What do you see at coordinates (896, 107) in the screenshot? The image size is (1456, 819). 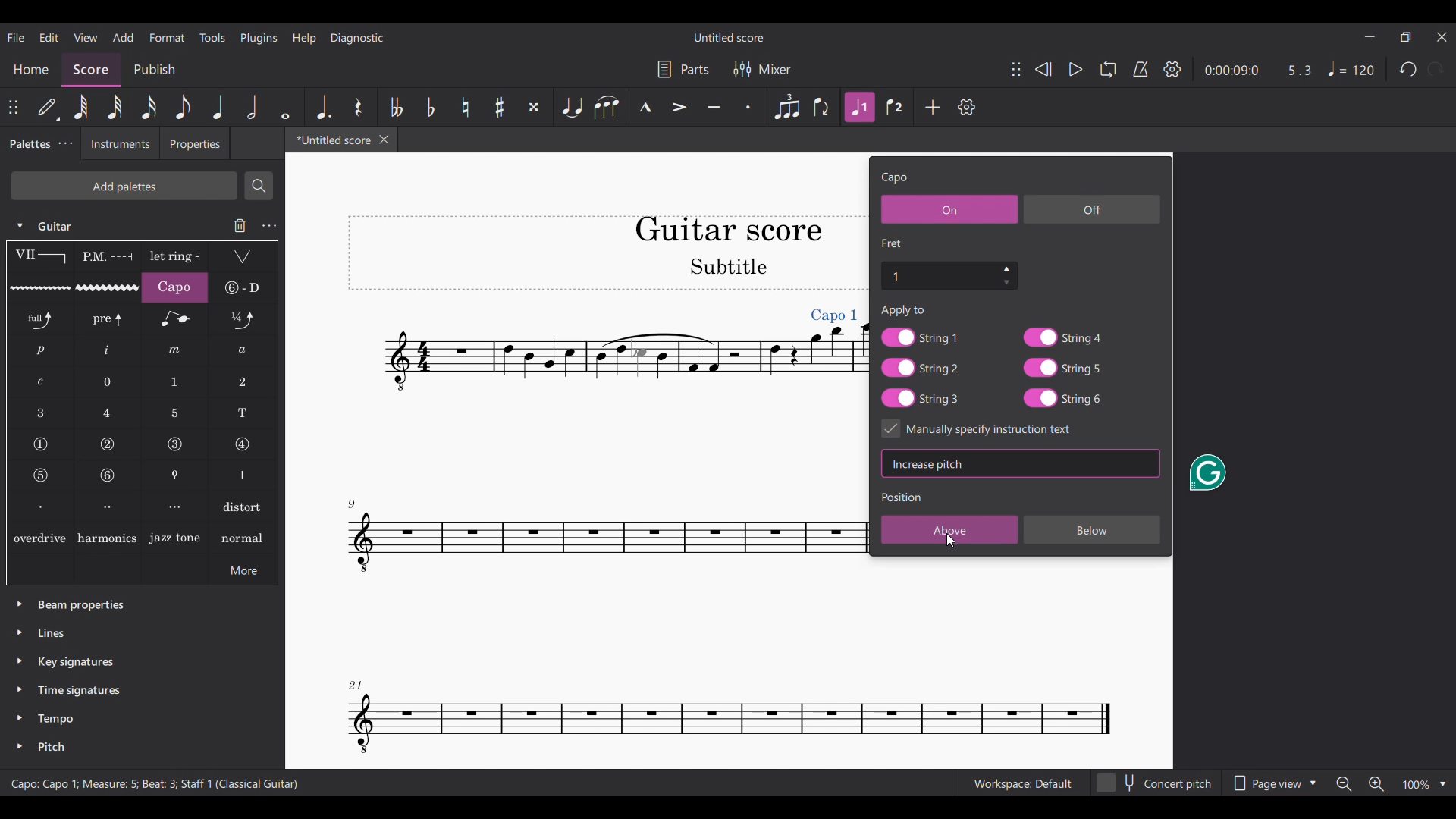 I see `Voice 2` at bounding box center [896, 107].